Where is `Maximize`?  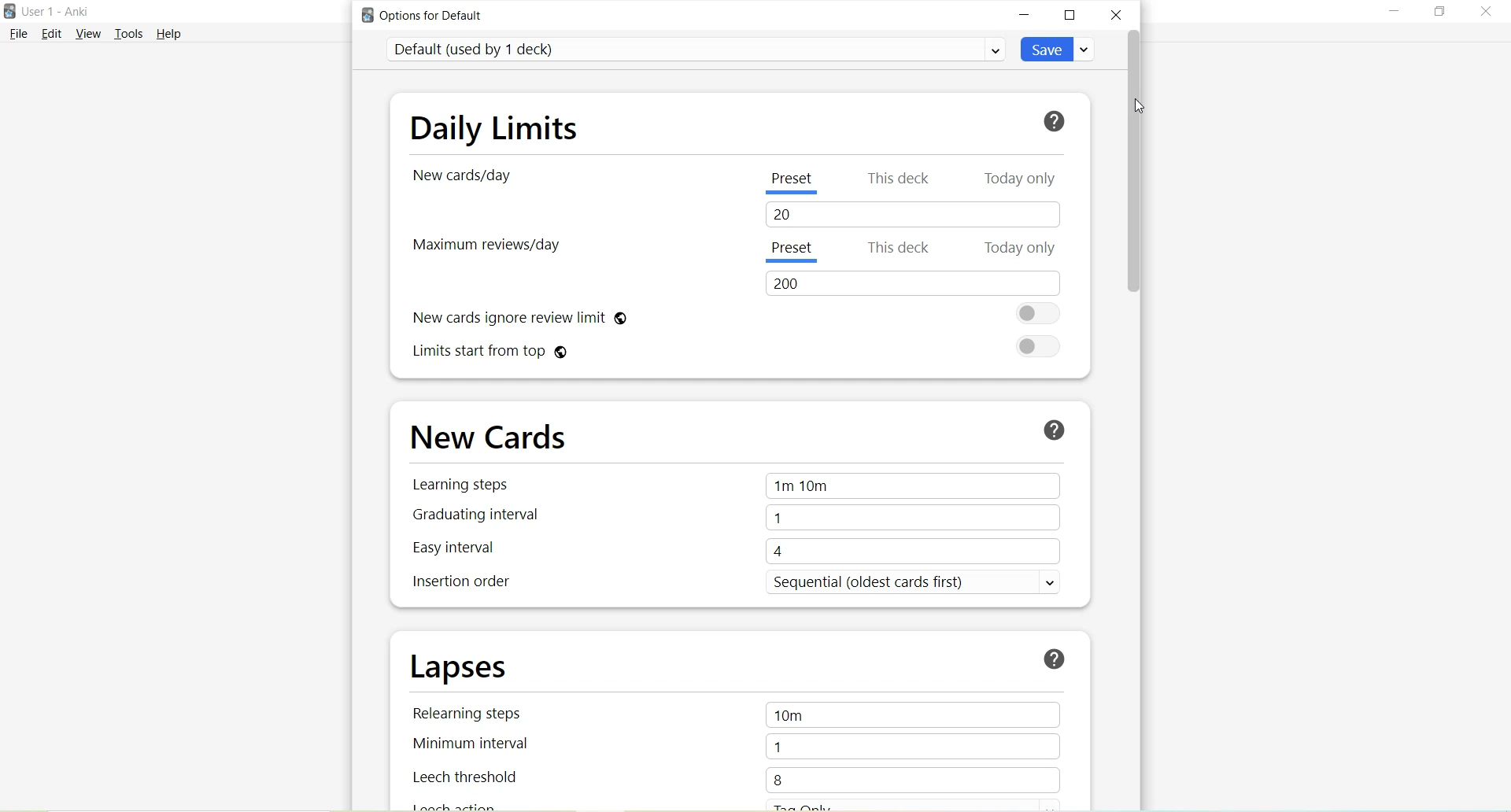
Maximize is located at coordinates (1070, 17).